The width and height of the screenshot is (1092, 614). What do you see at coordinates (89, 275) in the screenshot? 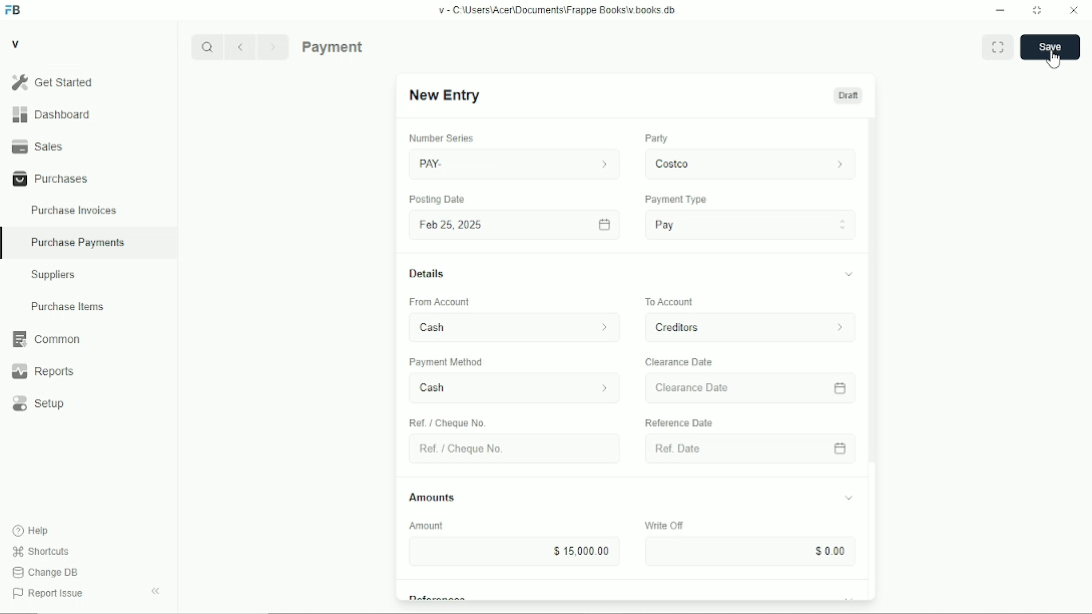
I see `Suppliers` at bounding box center [89, 275].